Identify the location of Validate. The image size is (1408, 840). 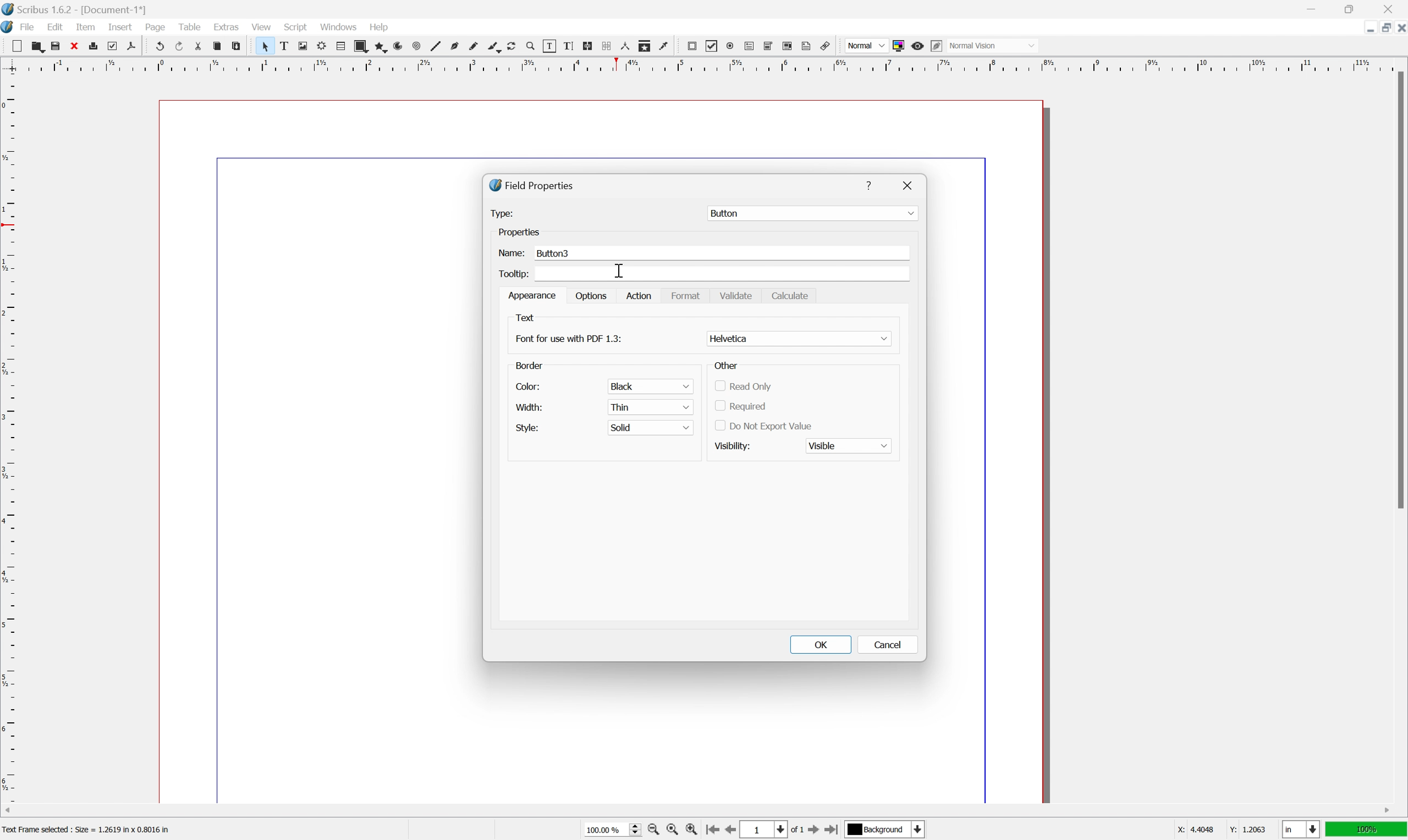
(738, 294).